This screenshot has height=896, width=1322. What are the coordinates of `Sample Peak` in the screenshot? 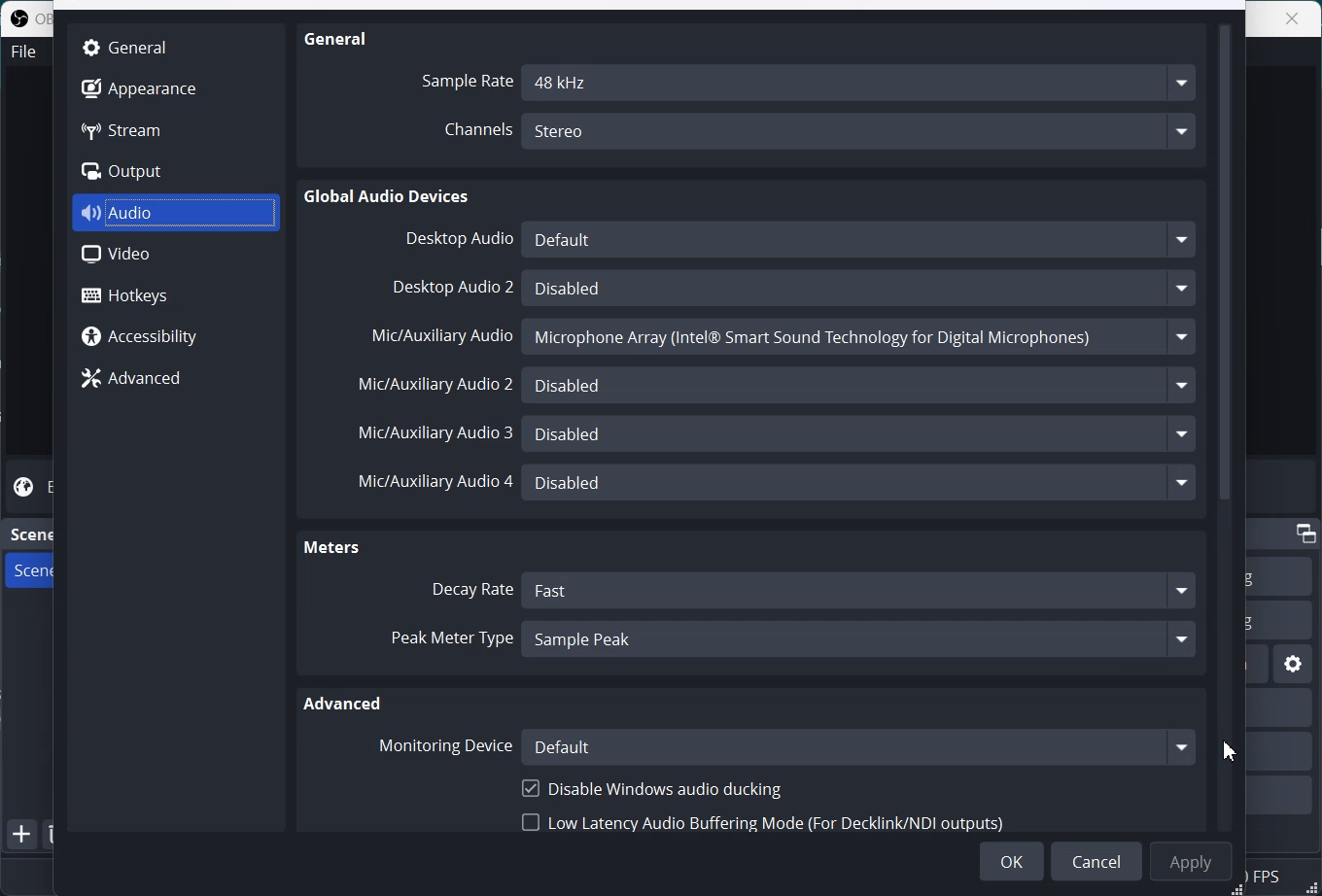 It's located at (860, 641).